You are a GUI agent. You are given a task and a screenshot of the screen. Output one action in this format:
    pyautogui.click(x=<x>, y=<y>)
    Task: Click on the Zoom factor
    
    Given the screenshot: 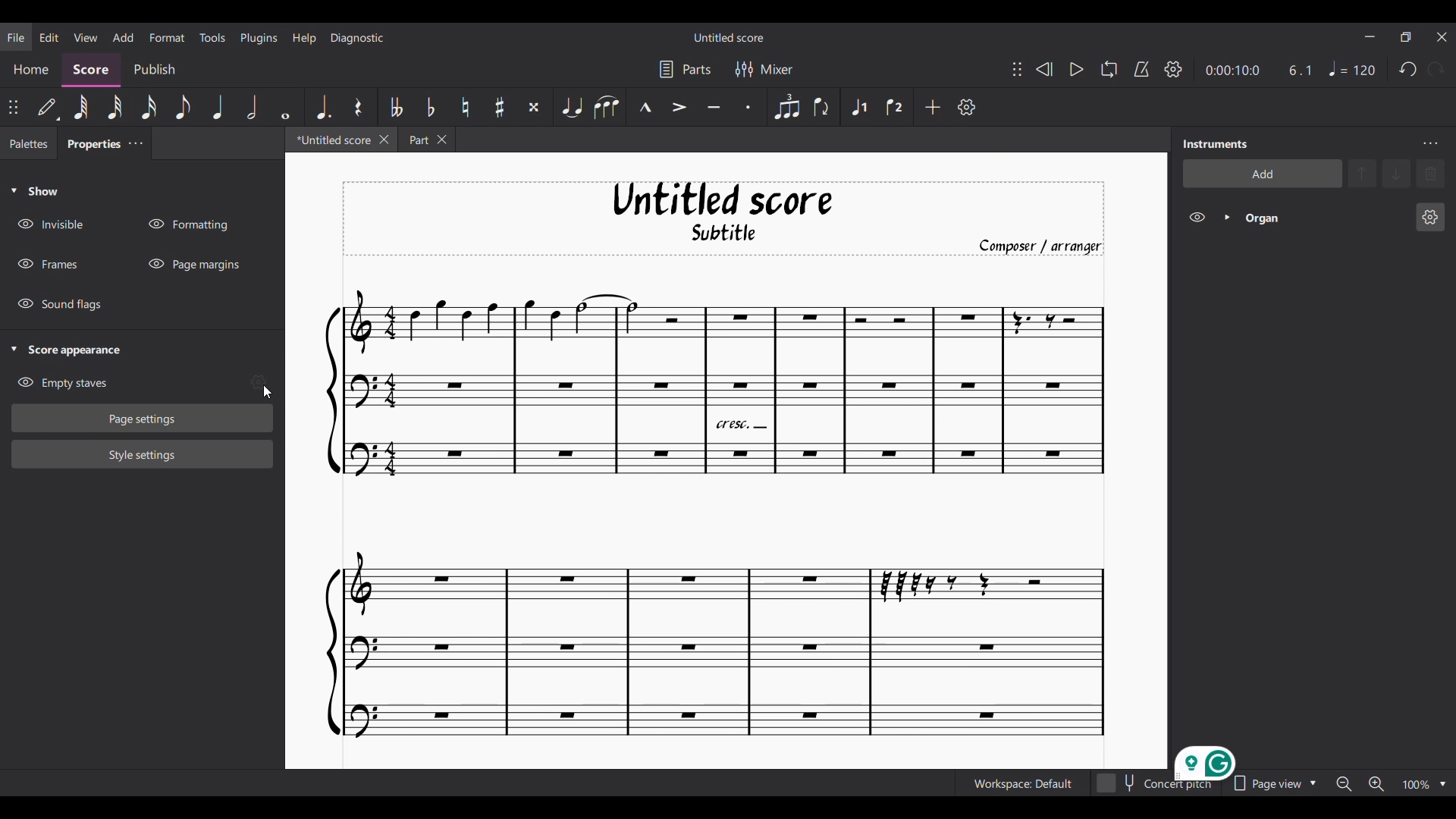 What is the action you would take?
    pyautogui.click(x=1416, y=785)
    